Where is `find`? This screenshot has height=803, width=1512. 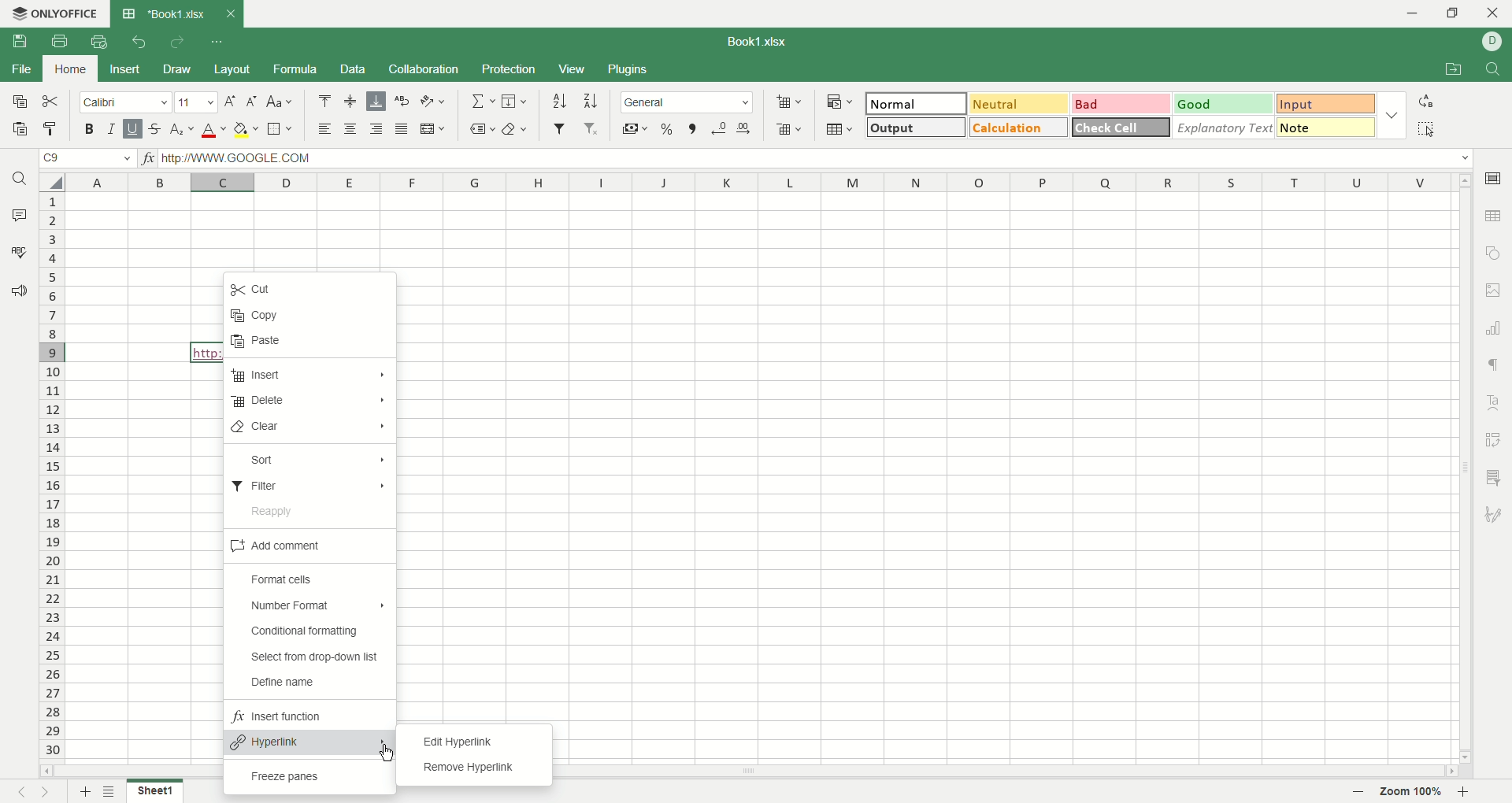
find is located at coordinates (19, 177).